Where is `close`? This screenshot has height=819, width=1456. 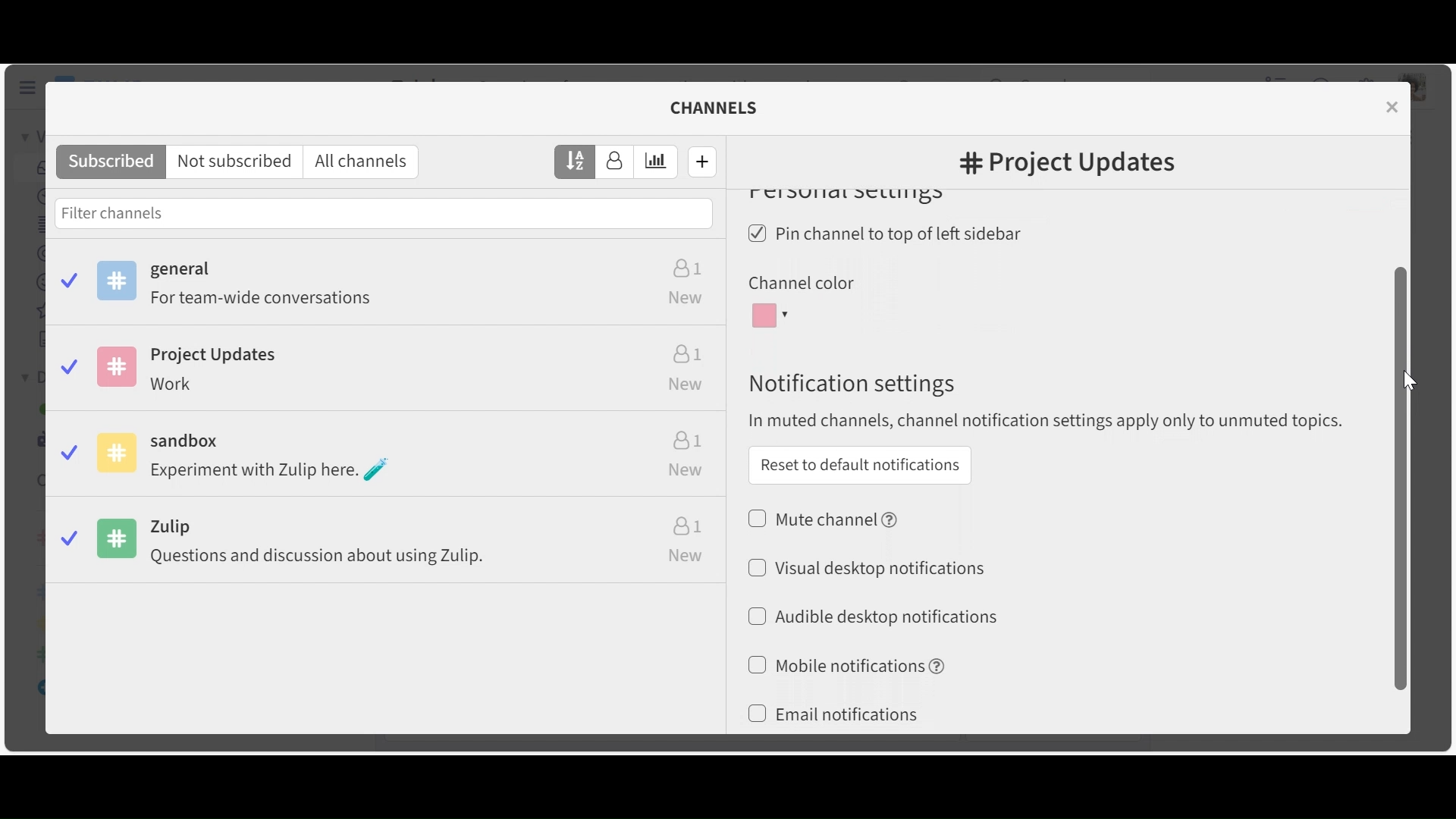 close is located at coordinates (1395, 106).